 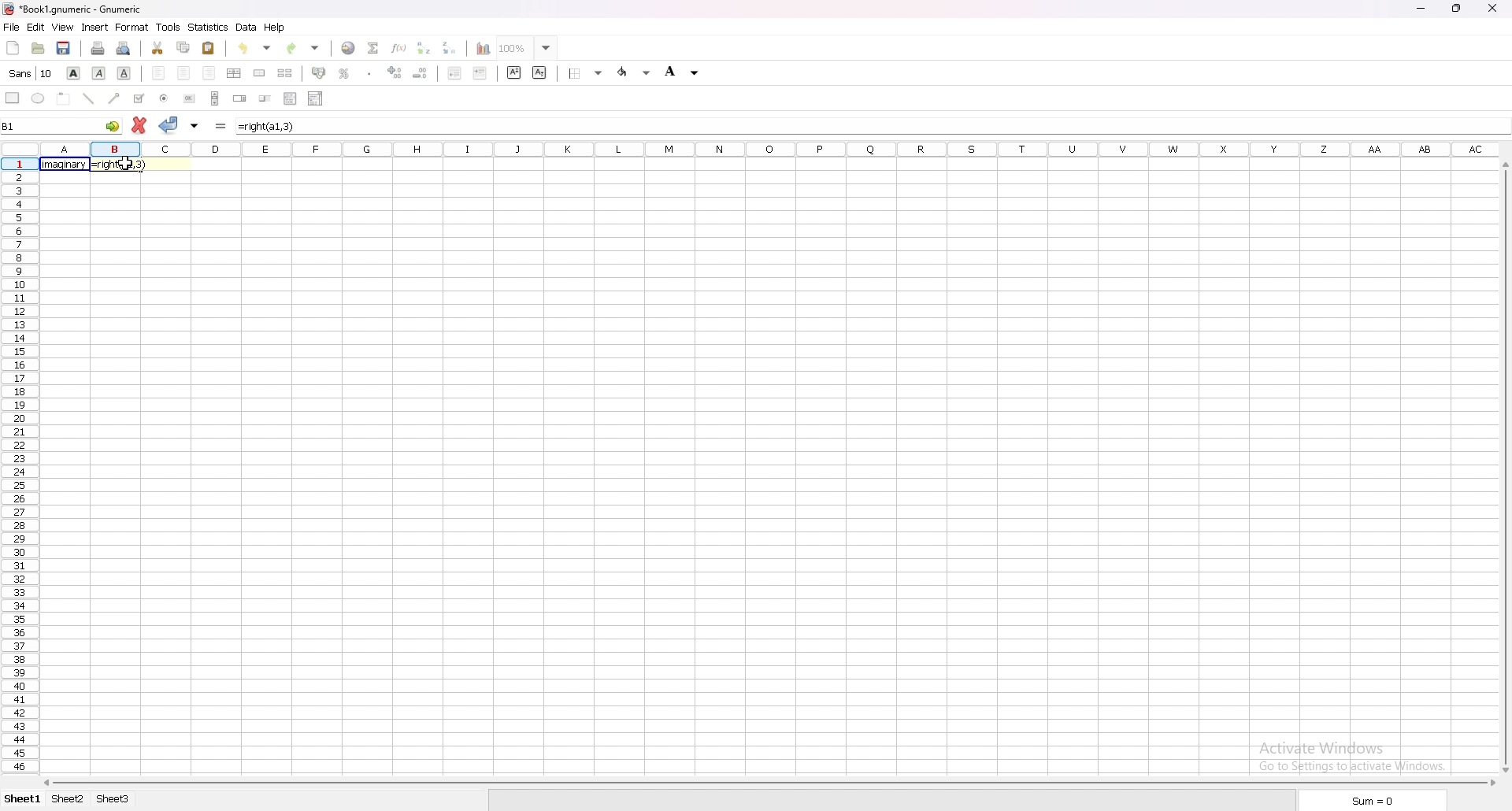 I want to click on sum, so click(x=1368, y=801).